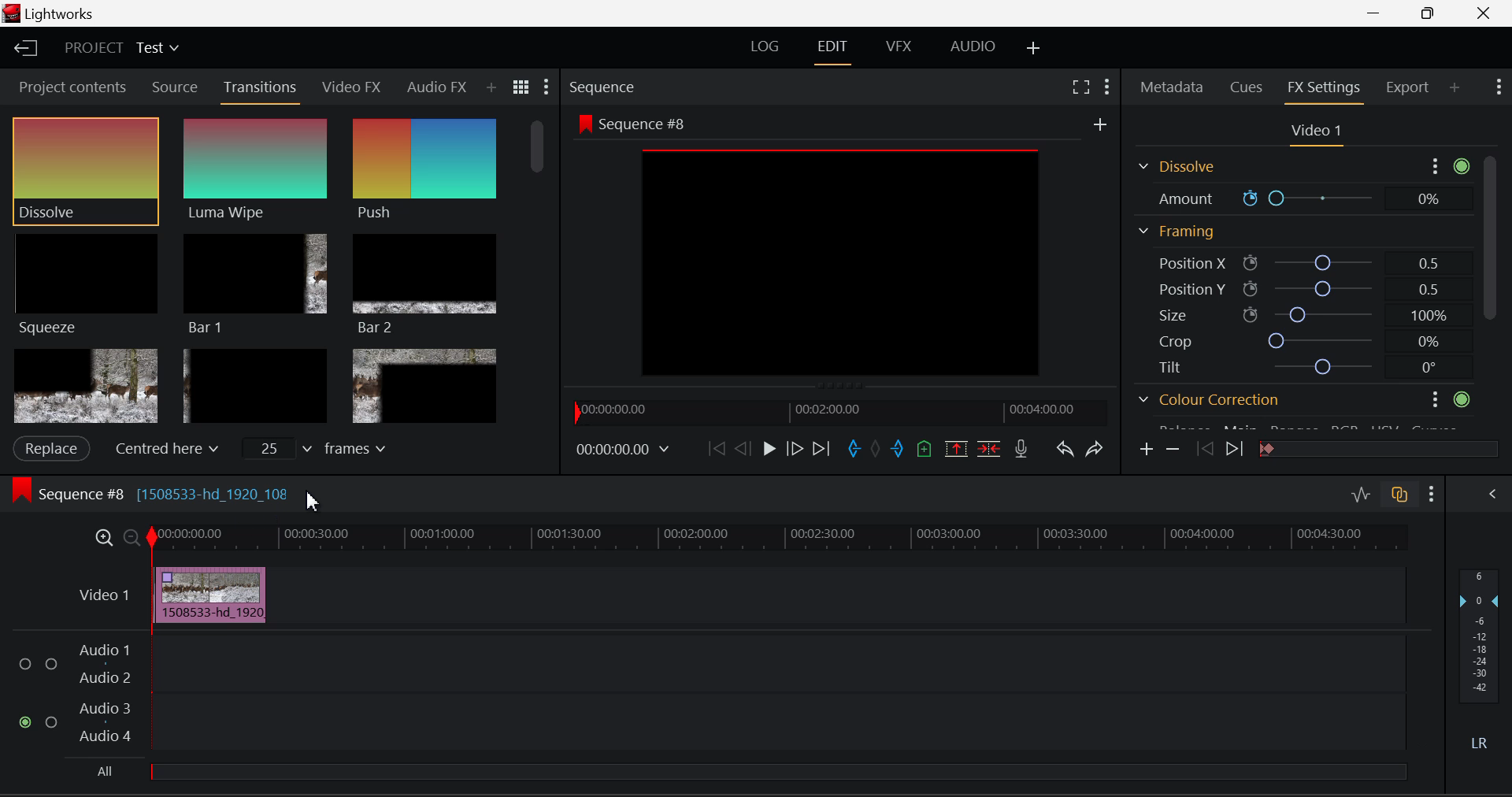 This screenshot has width=1512, height=797. What do you see at coordinates (1399, 496) in the screenshot?
I see `Toggle Auto Track Sync` at bounding box center [1399, 496].